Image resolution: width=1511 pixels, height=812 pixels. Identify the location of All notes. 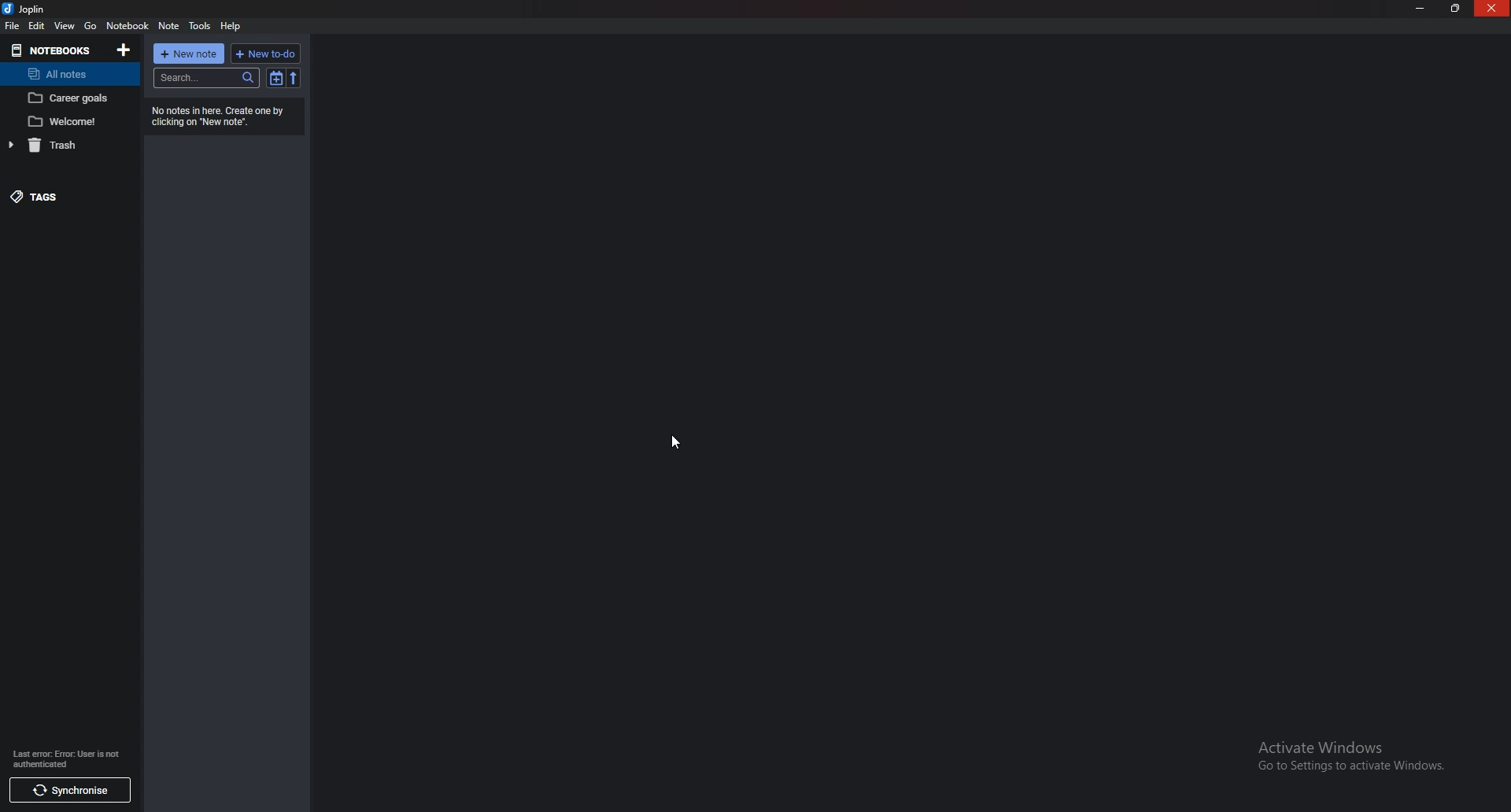
(69, 74).